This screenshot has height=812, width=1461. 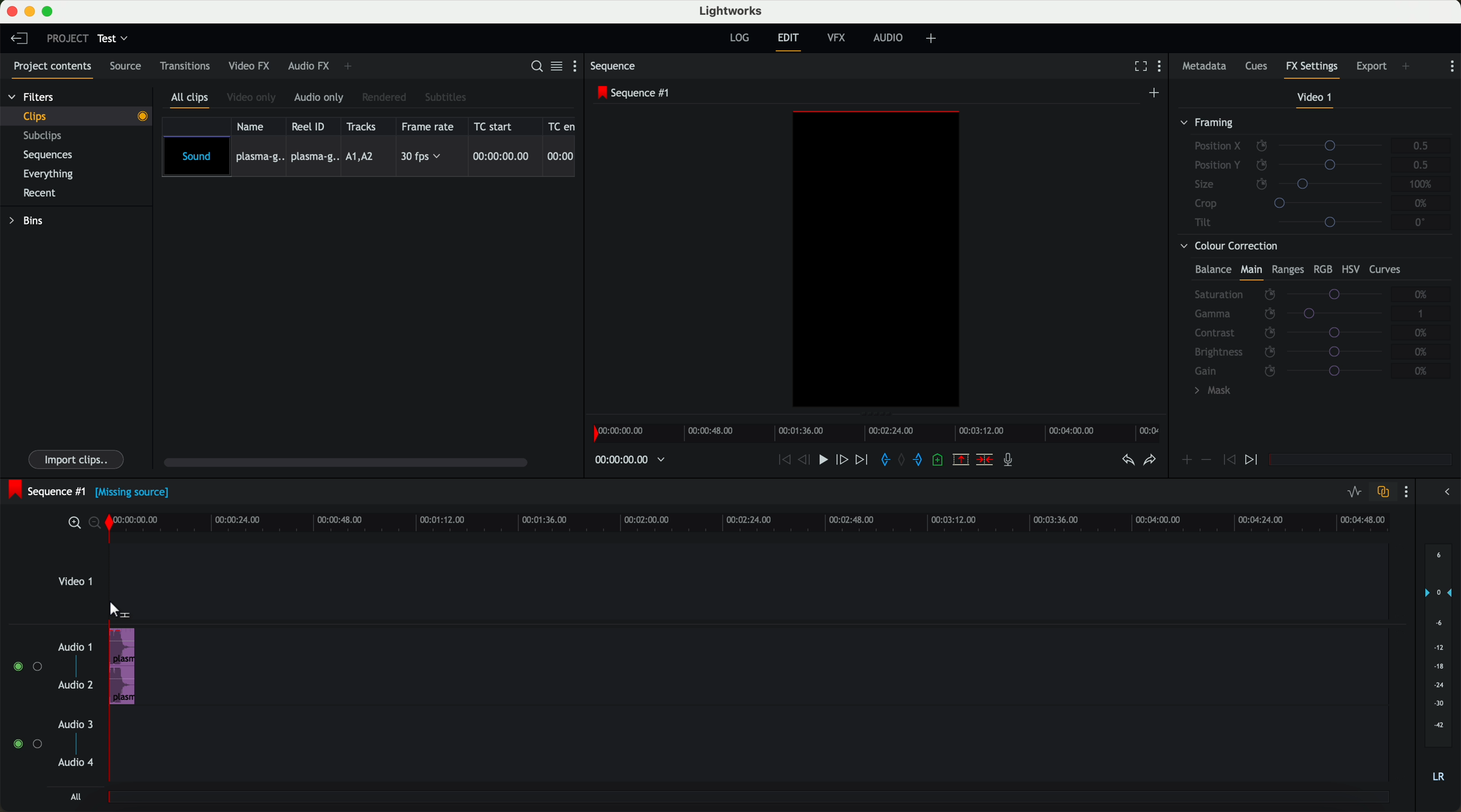 I want to click on show settings menu, so click(x=1452, y=66).